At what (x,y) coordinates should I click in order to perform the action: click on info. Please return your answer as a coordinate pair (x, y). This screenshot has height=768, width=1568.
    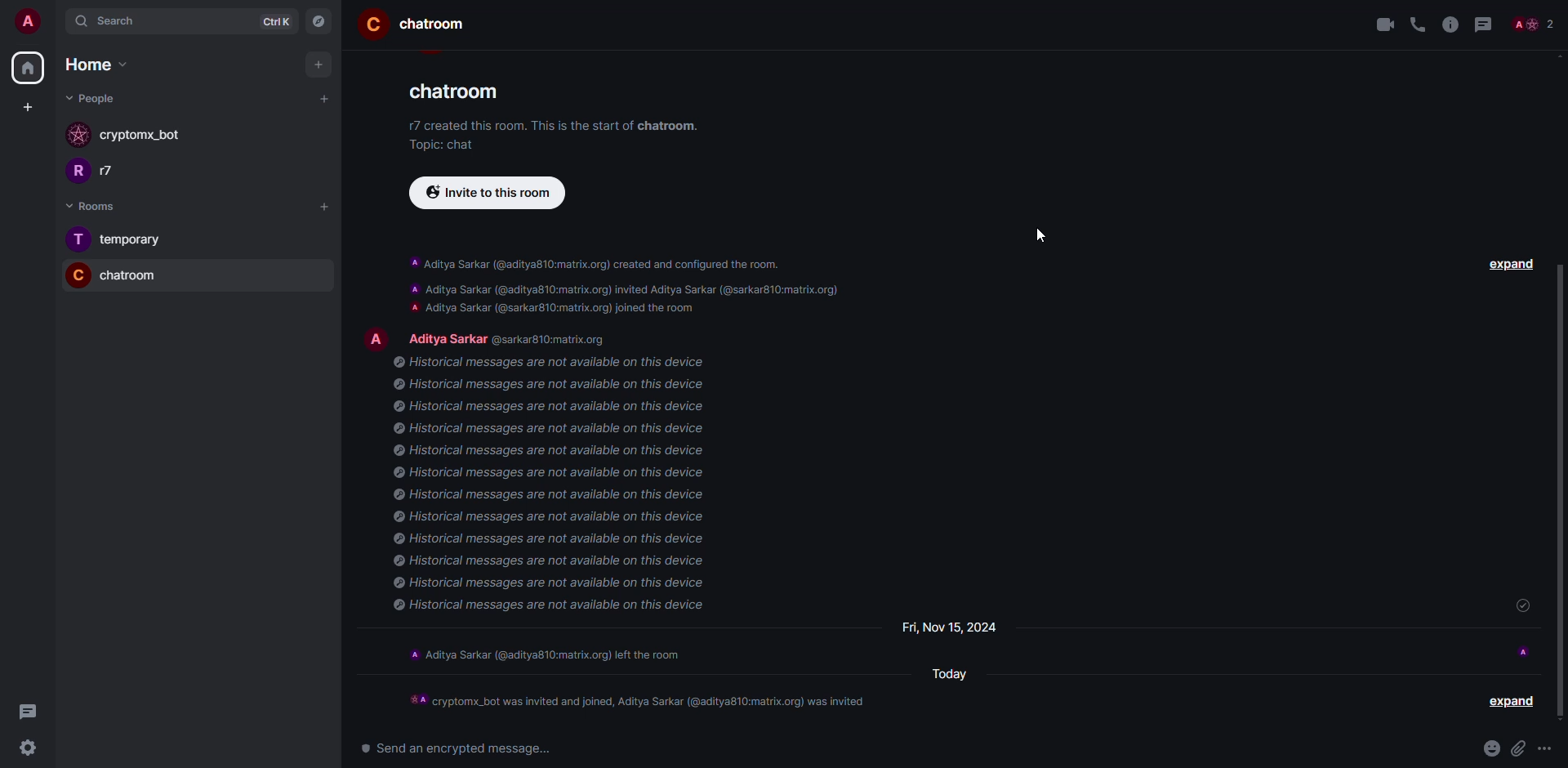
    Looking at the image, I should click on (589, 125).